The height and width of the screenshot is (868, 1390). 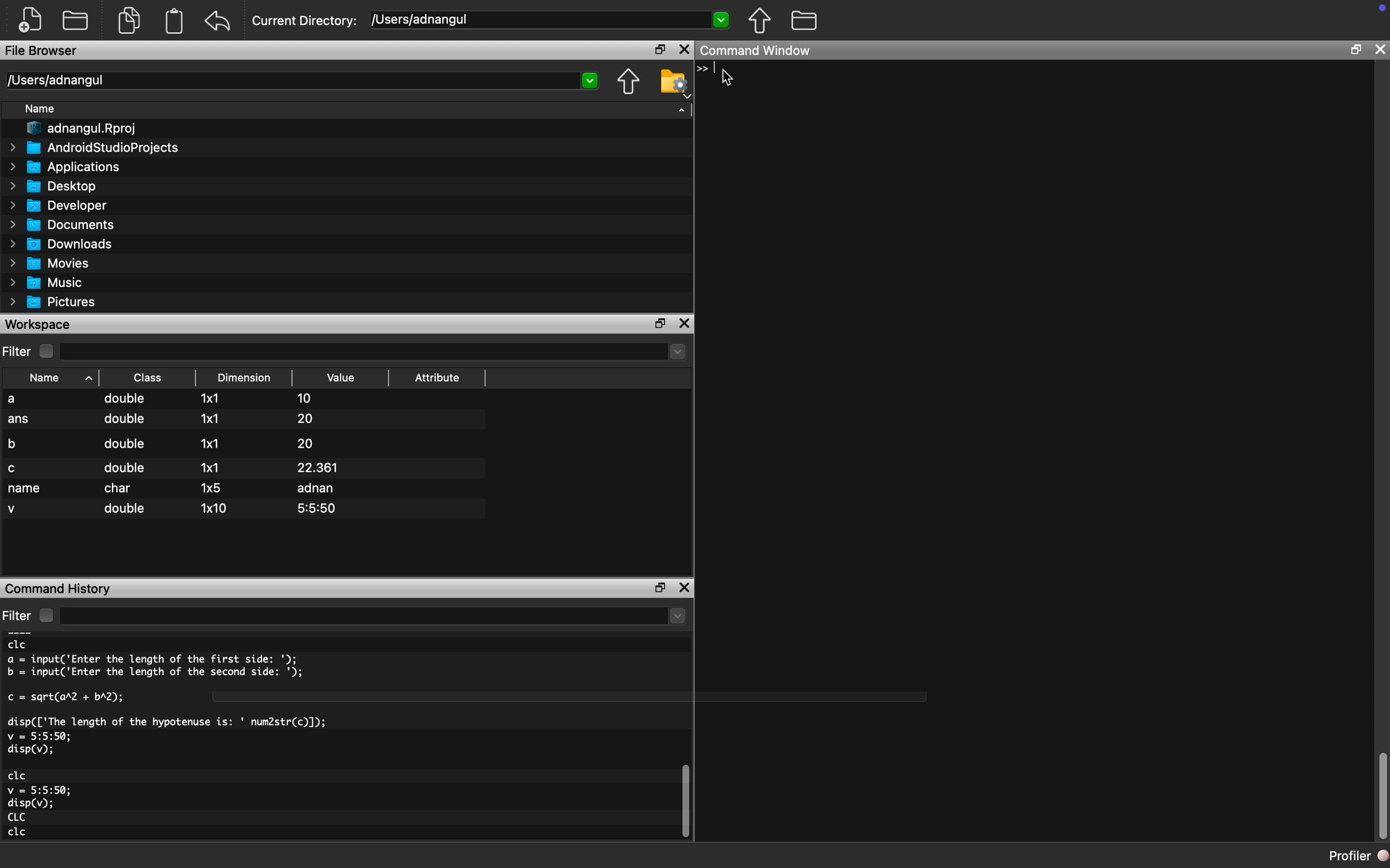 What do you see at coordinates (245, 377) in the screenshot?
I see `Dimension` at bounding box center [245, 377].